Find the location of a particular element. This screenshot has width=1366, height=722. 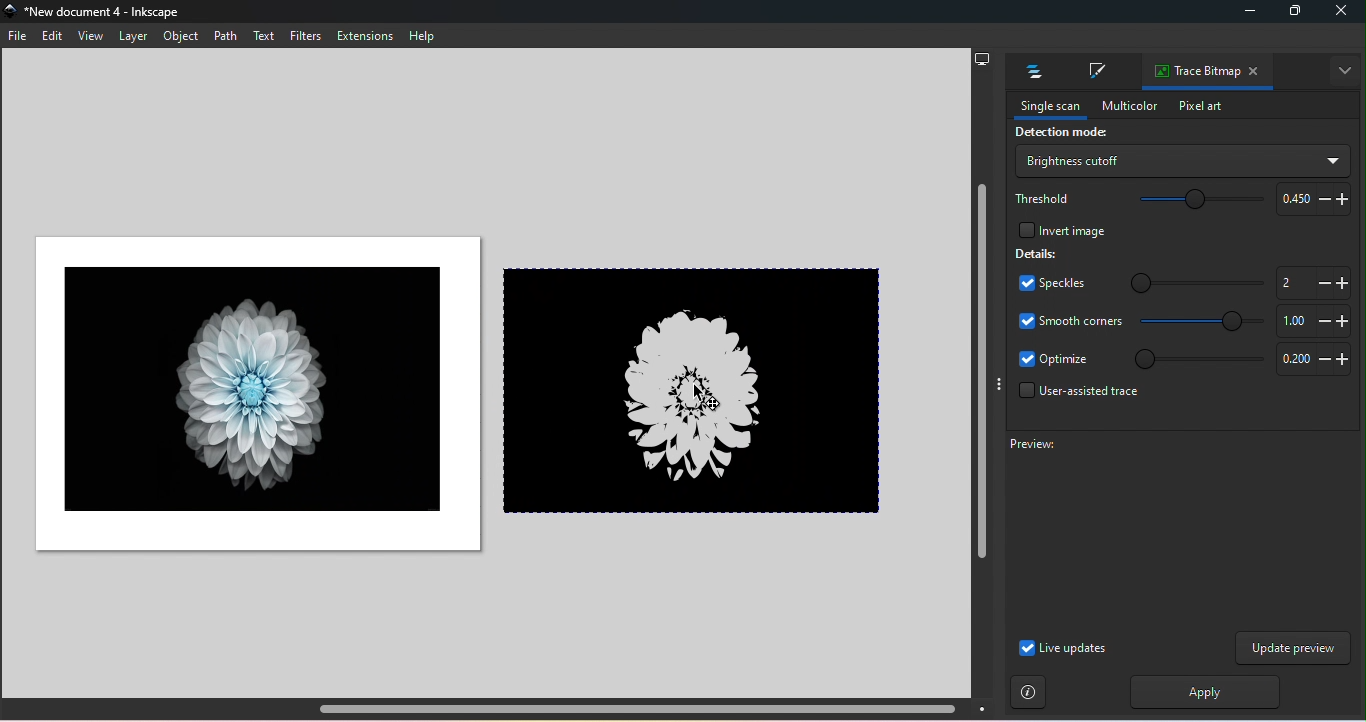

Preview is located at coordinates (1167, 531).